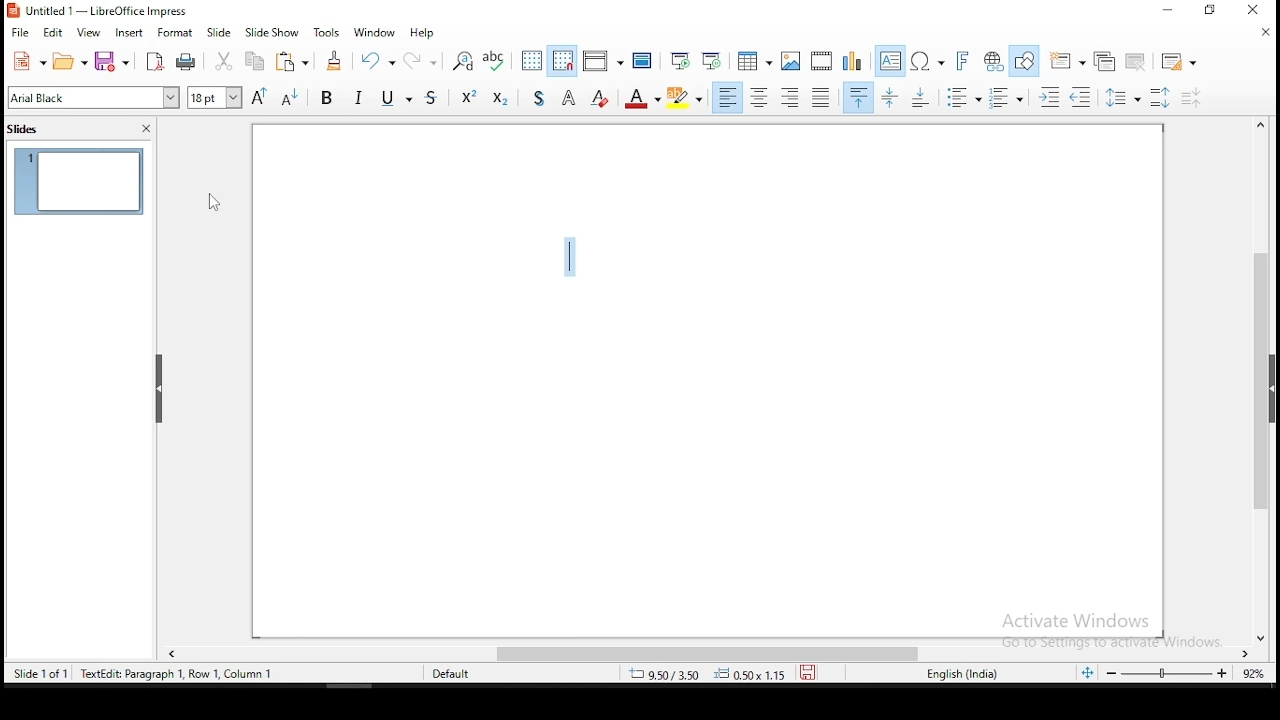 This screenshot has height=720, width=1280. Describe the element at coordinates (154, 62) in the screenshot. I see `export as pdf` at that location.